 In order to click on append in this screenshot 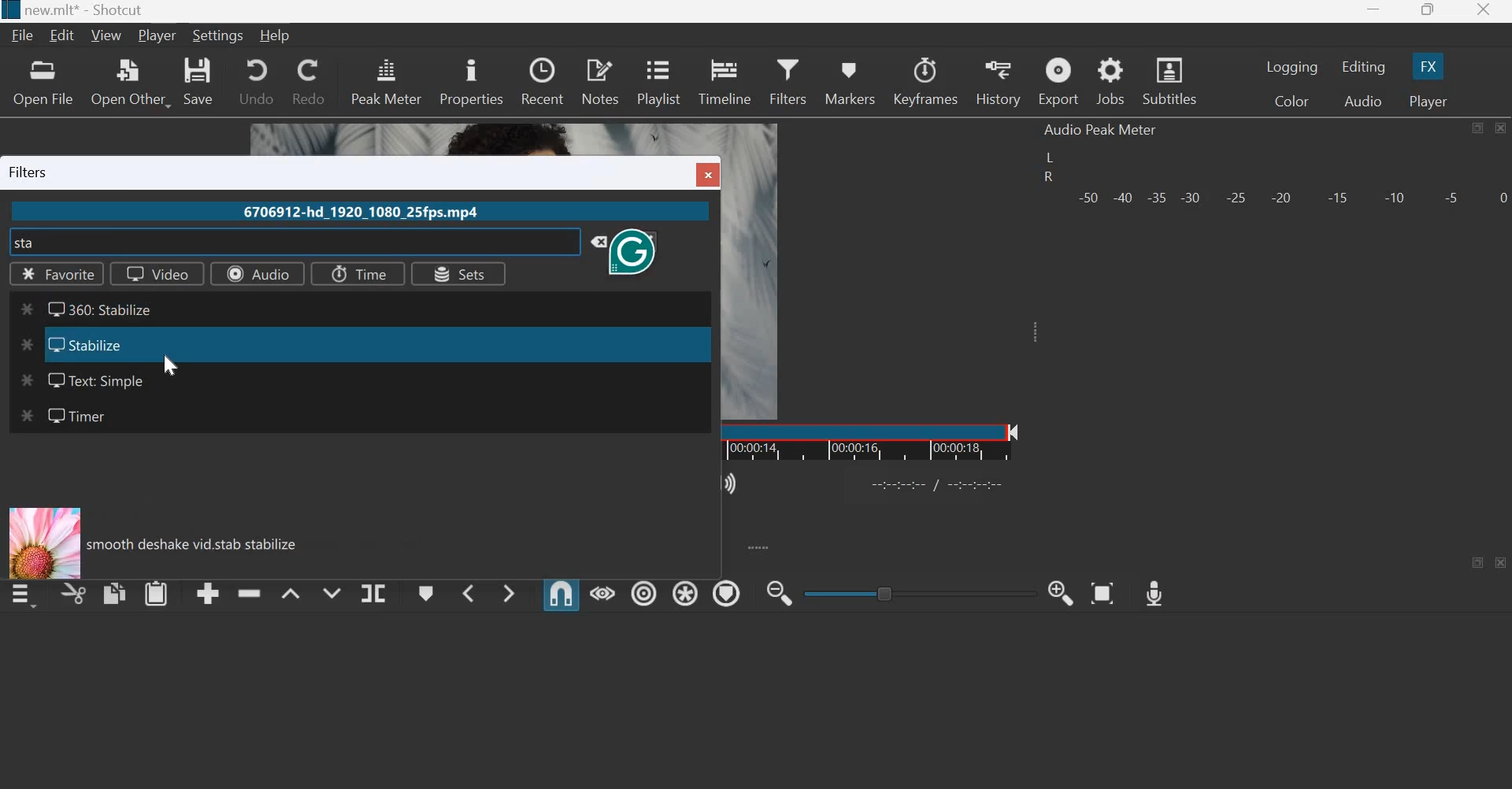, I will do `click(208, 595)`.